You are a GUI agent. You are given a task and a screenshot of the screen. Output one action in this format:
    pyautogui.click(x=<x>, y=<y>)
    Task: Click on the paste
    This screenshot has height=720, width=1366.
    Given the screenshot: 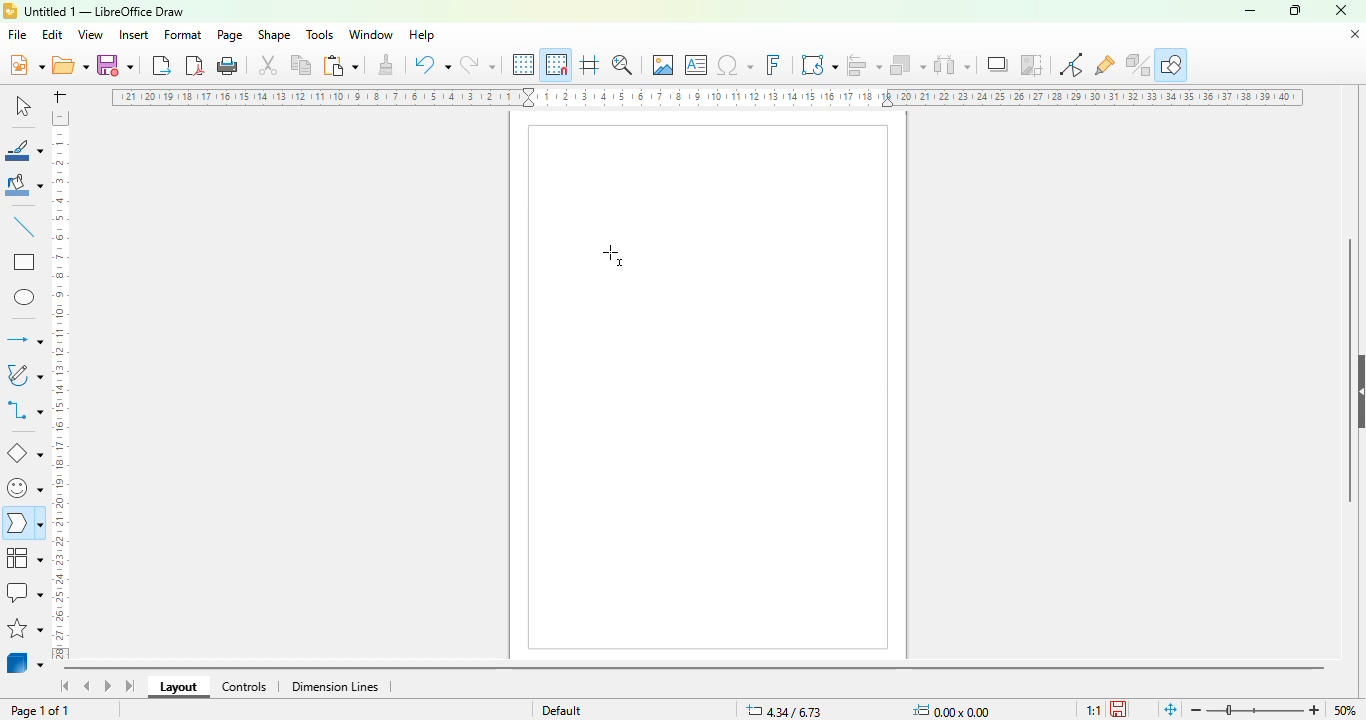 What is the action you would take?
    pyautogui.click(x=340, y=65)
    